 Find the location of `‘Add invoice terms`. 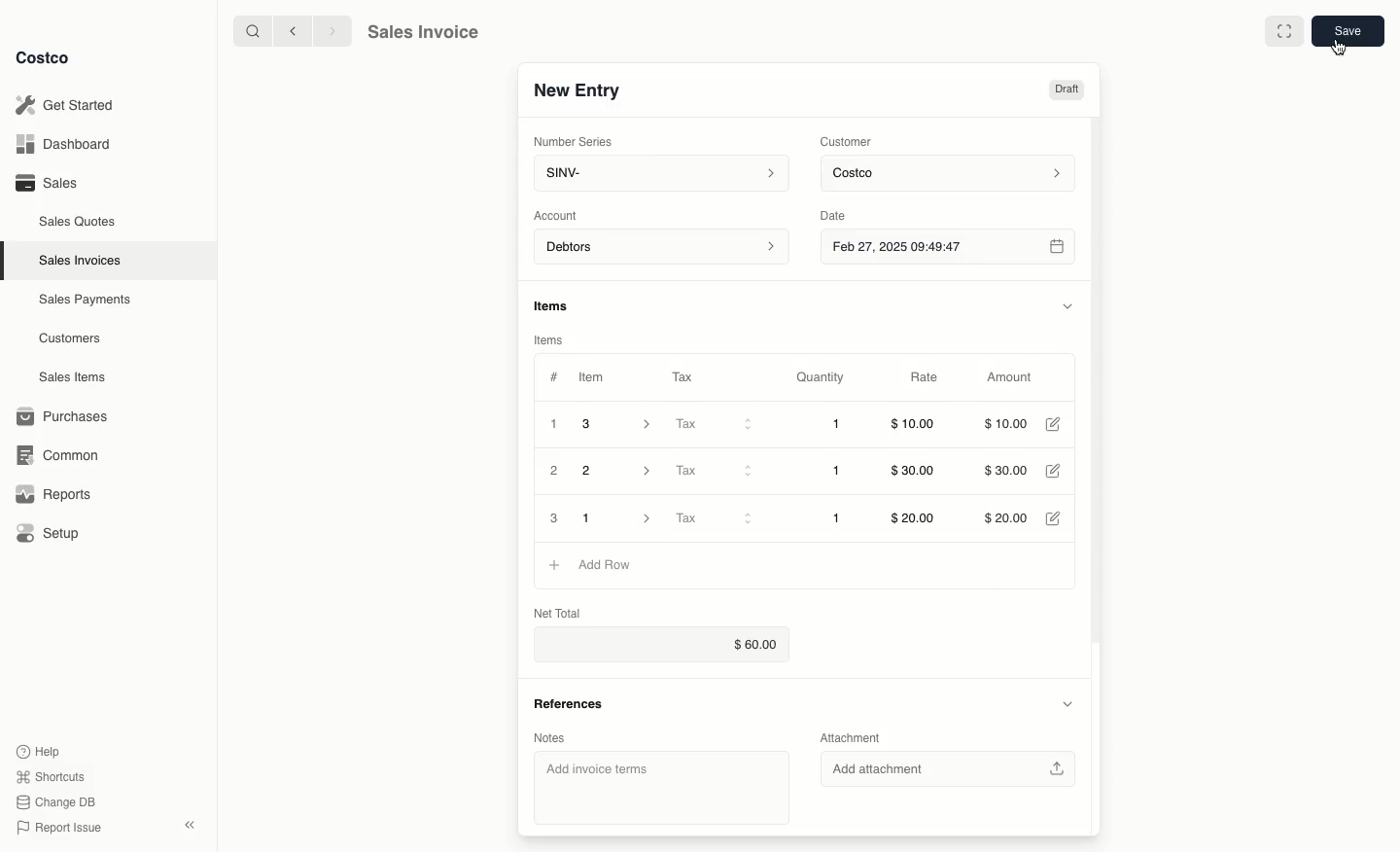

‘Add invoice terms is located at coordinates (659, 786).